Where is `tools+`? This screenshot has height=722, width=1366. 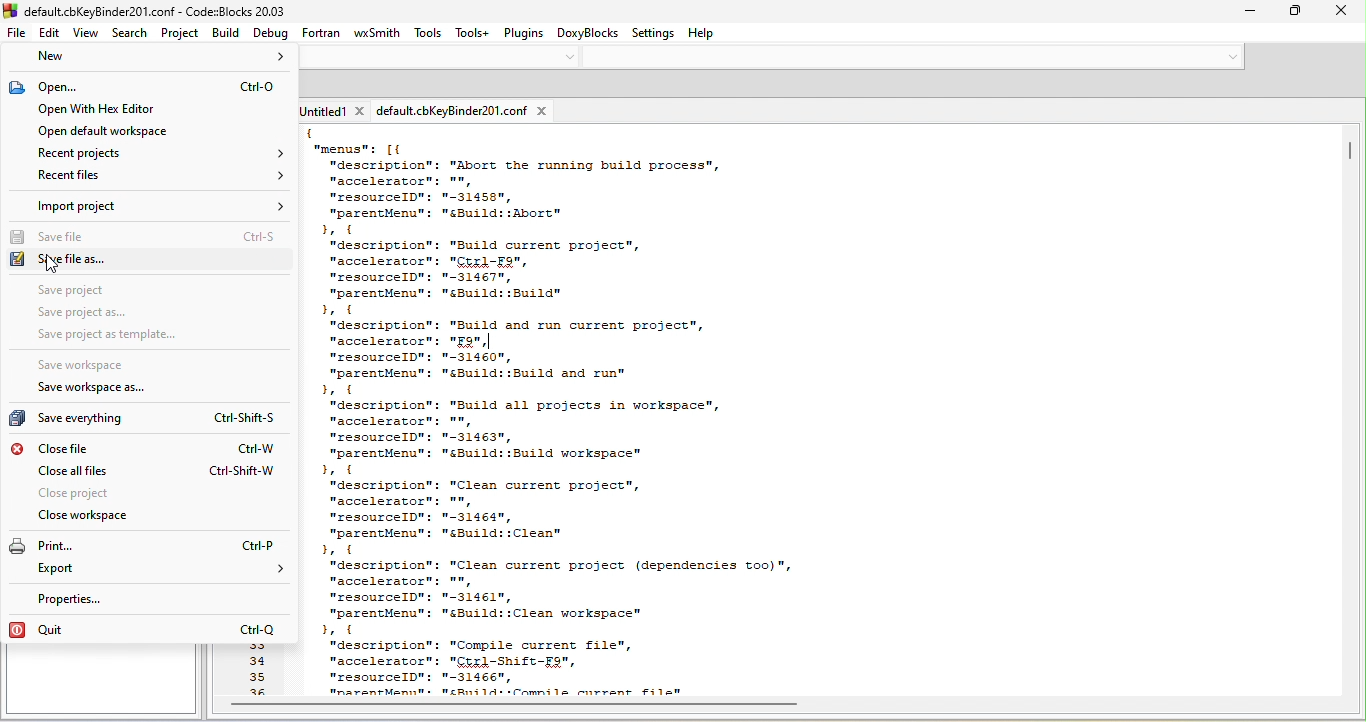 tools+ is located at coordinates (472, 34).